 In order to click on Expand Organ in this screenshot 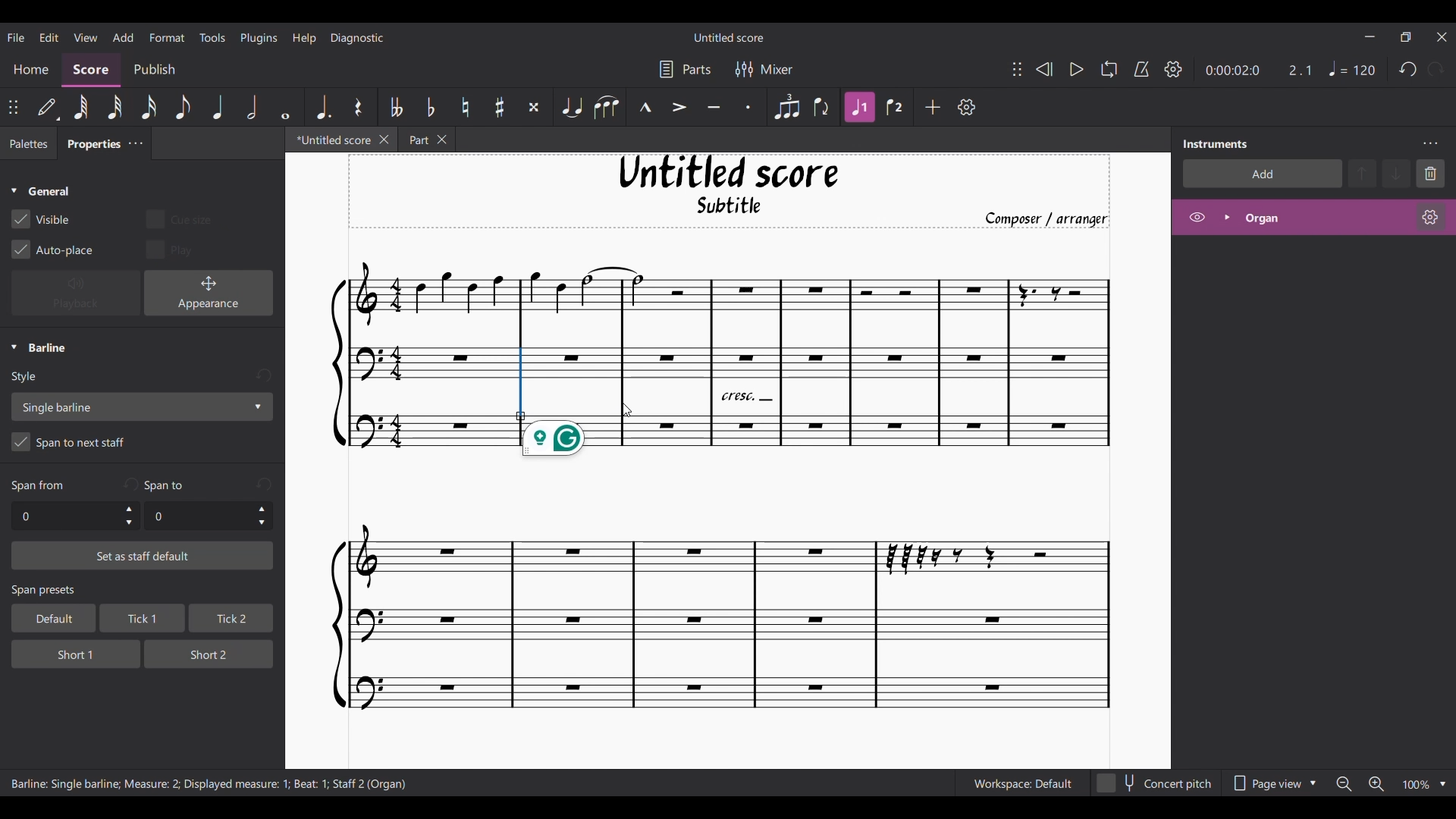, I will do `click(1226, 217)`.